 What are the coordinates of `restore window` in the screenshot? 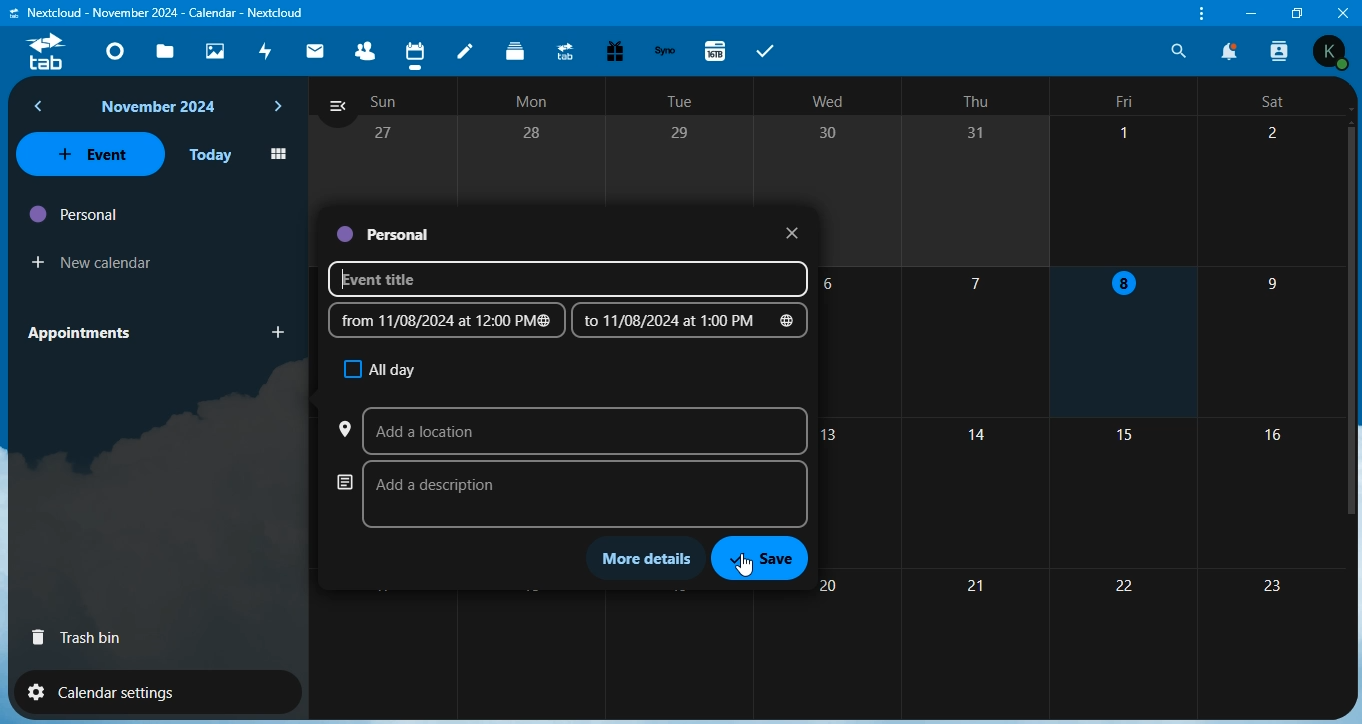 It's located at (1298, 12).